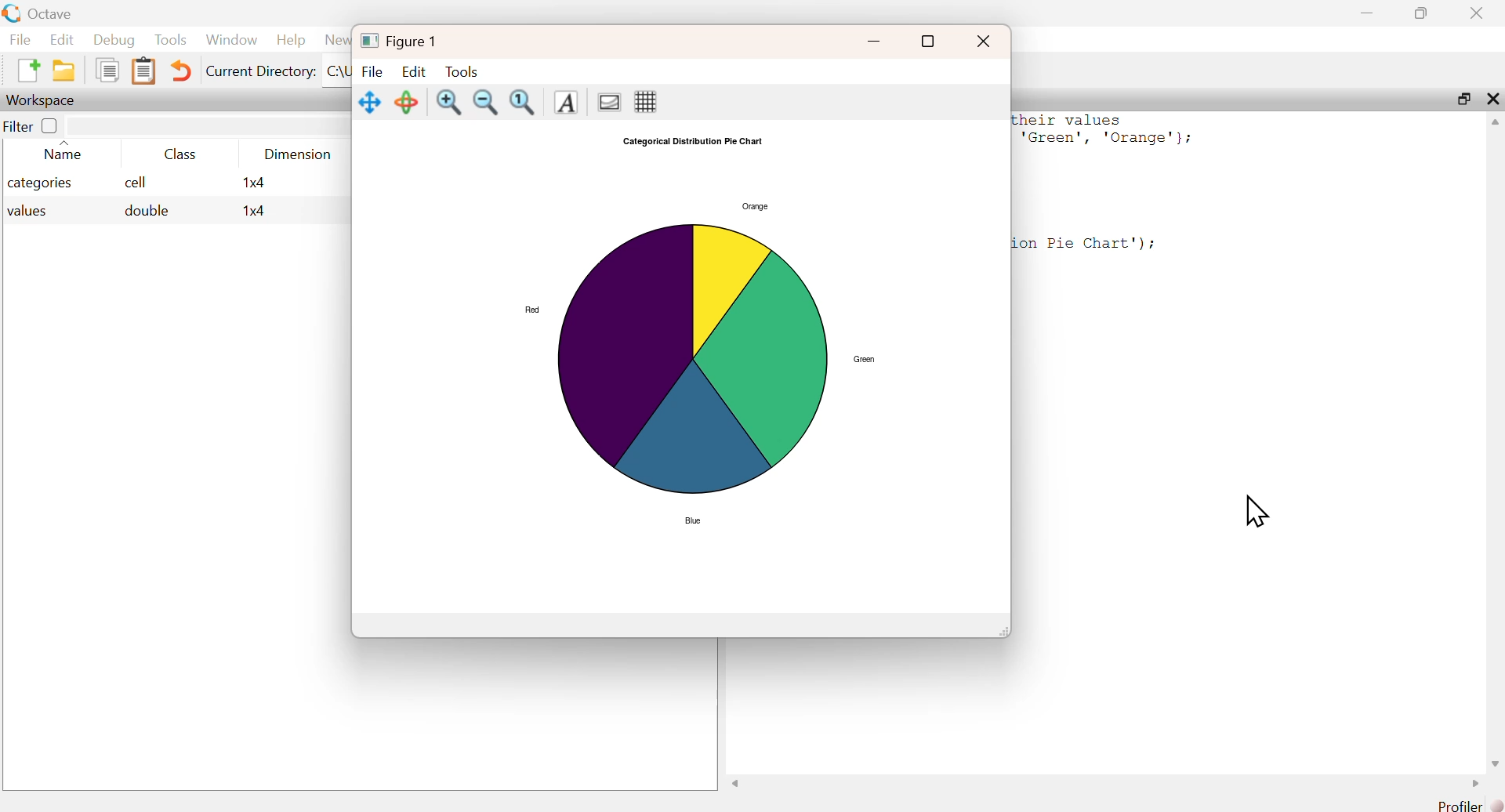 This screenshot has width=1505, height=812. What do you see at coordinates (1495, 123) in the screenshot?
I see `scroll up` at bounding box center [1495, 123].